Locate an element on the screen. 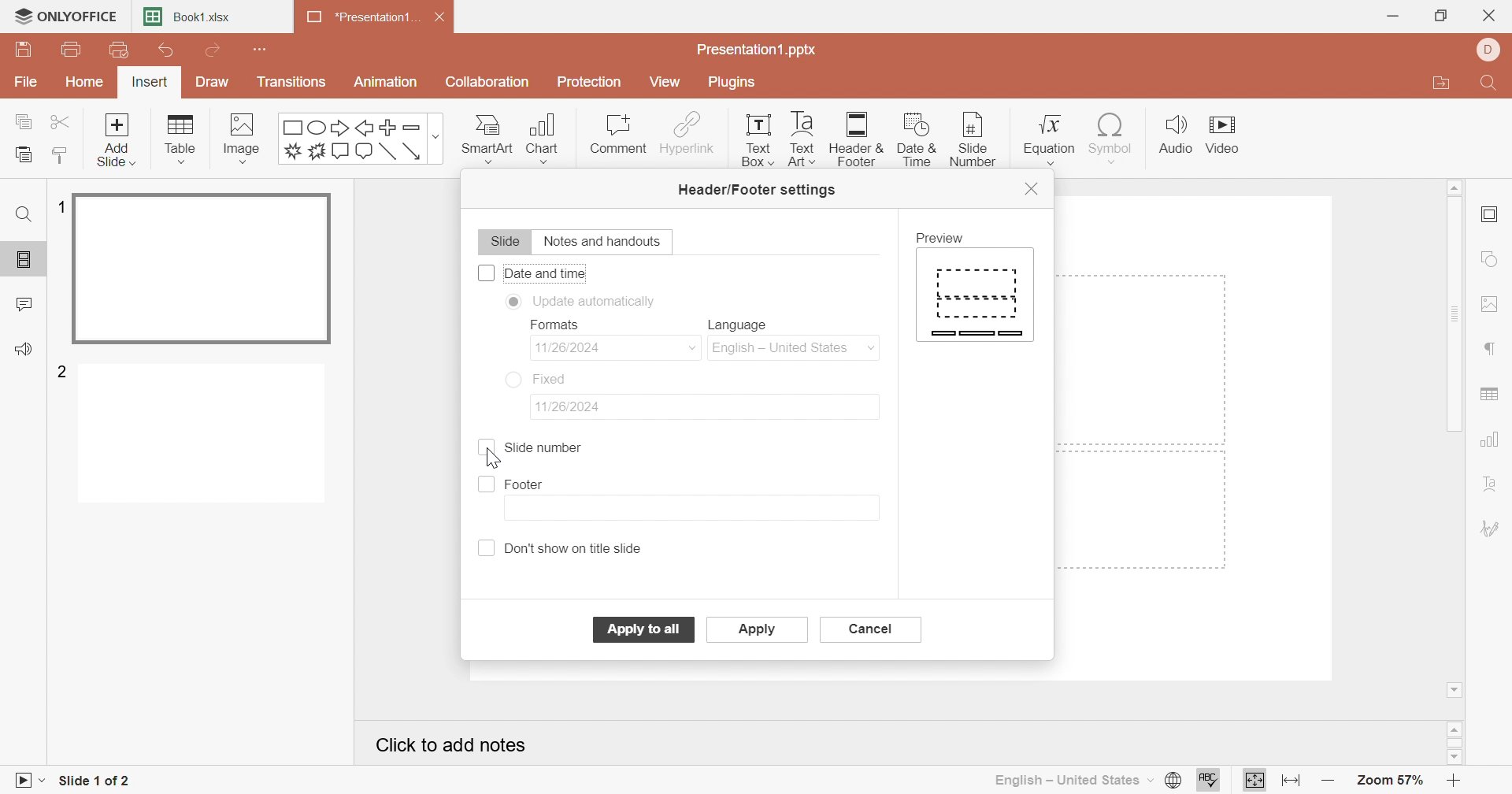 The image size is (1512, 794). Apply is located at coordinates (758, 631).